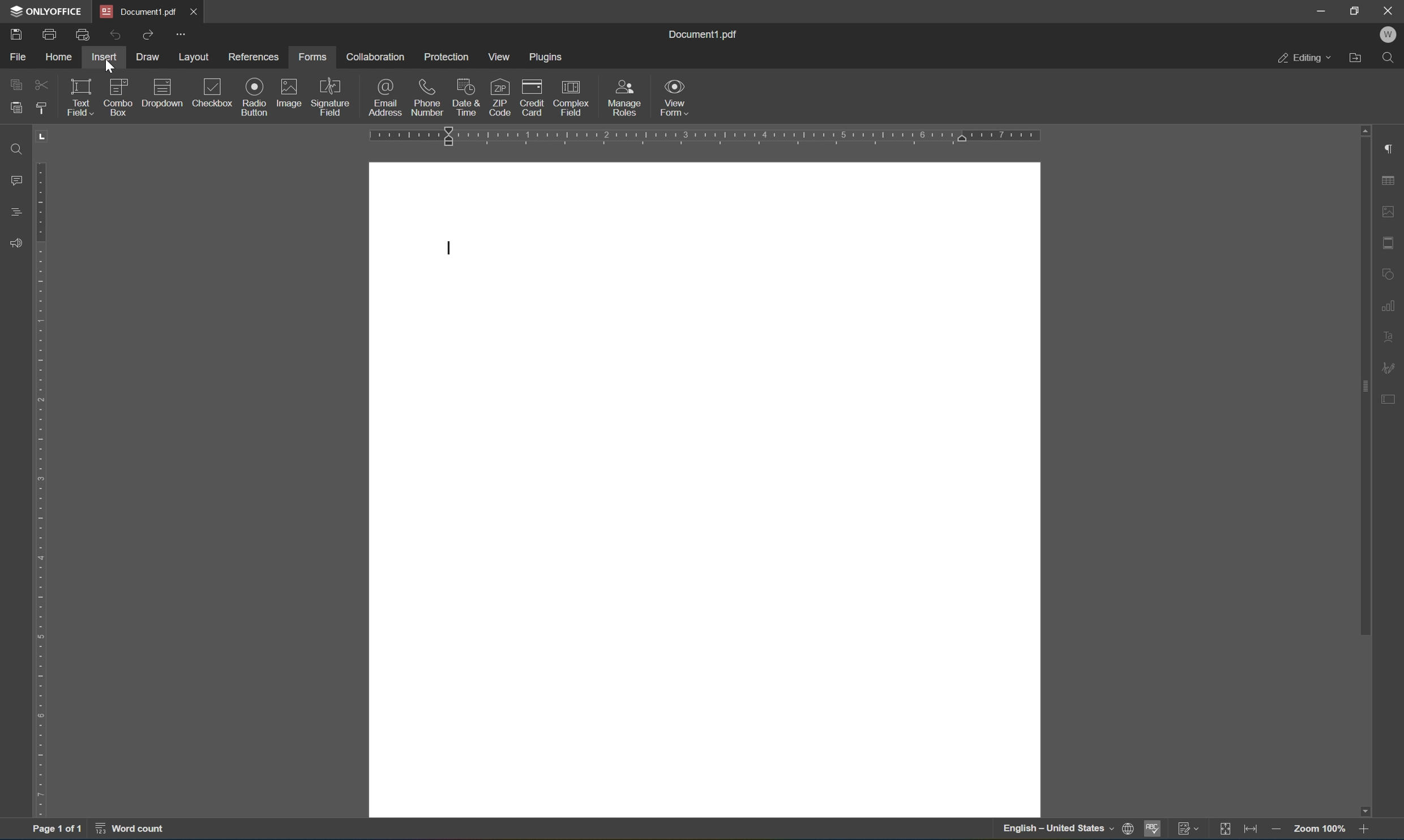 This screenshot has width=1404, height=840. Describe the element at coordinates (19, 85) in the screenshot. I see `copy` at that location.